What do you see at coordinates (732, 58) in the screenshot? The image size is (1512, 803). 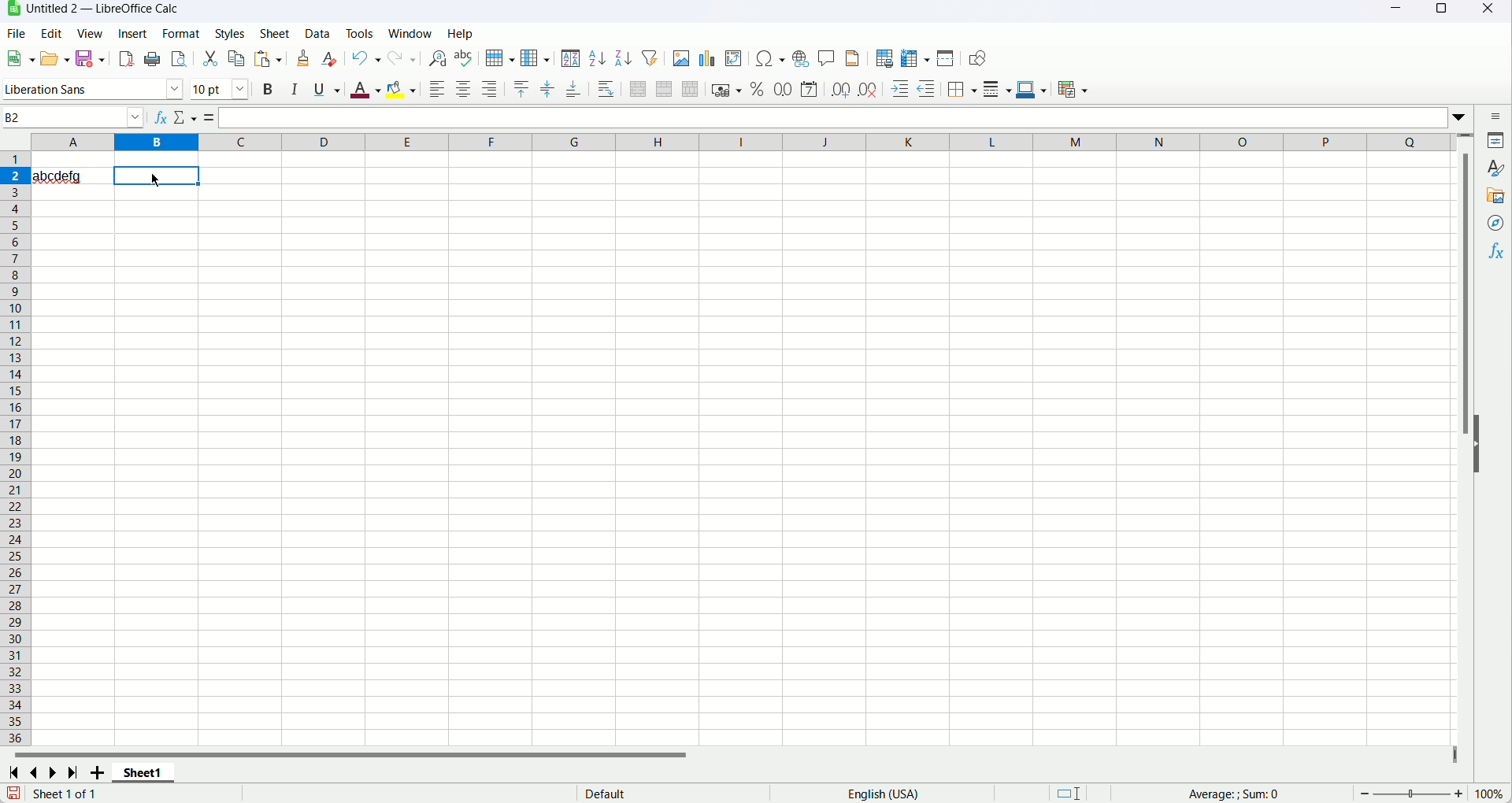 I see `insert pivot table` at bounding box center [732, 58].